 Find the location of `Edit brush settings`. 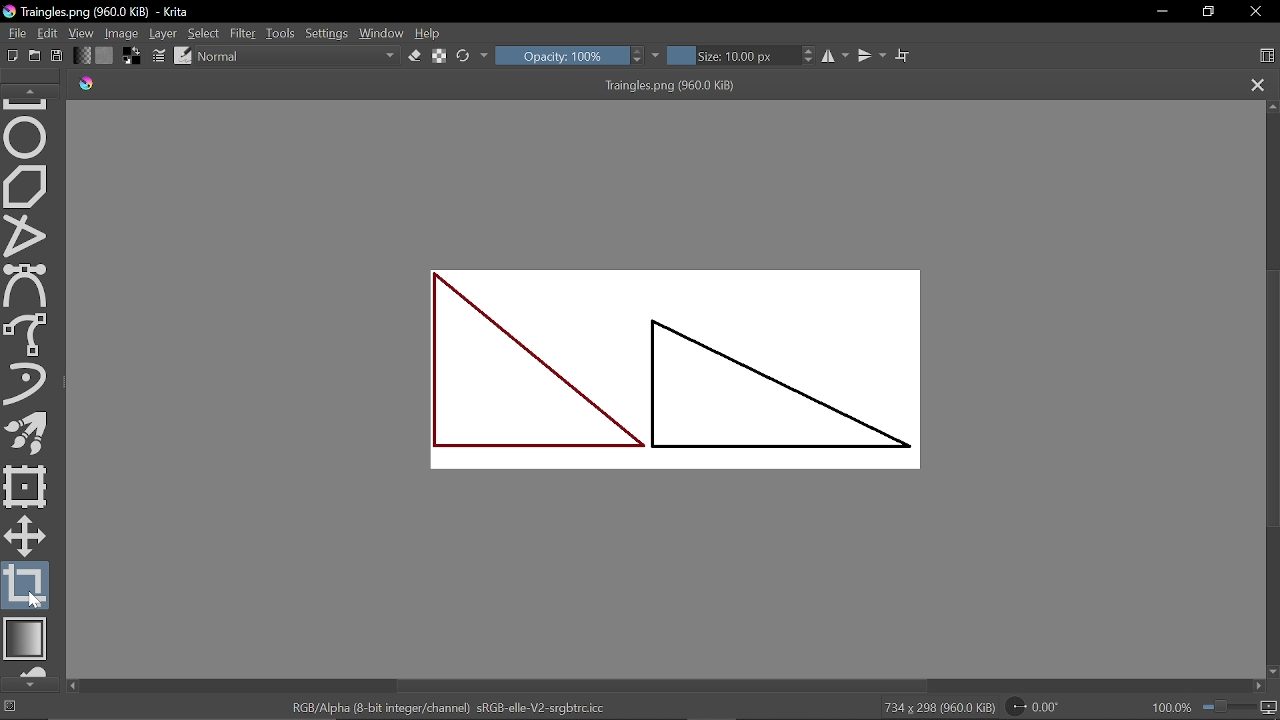

Edit brush settings is located at coordinates (160, 57).